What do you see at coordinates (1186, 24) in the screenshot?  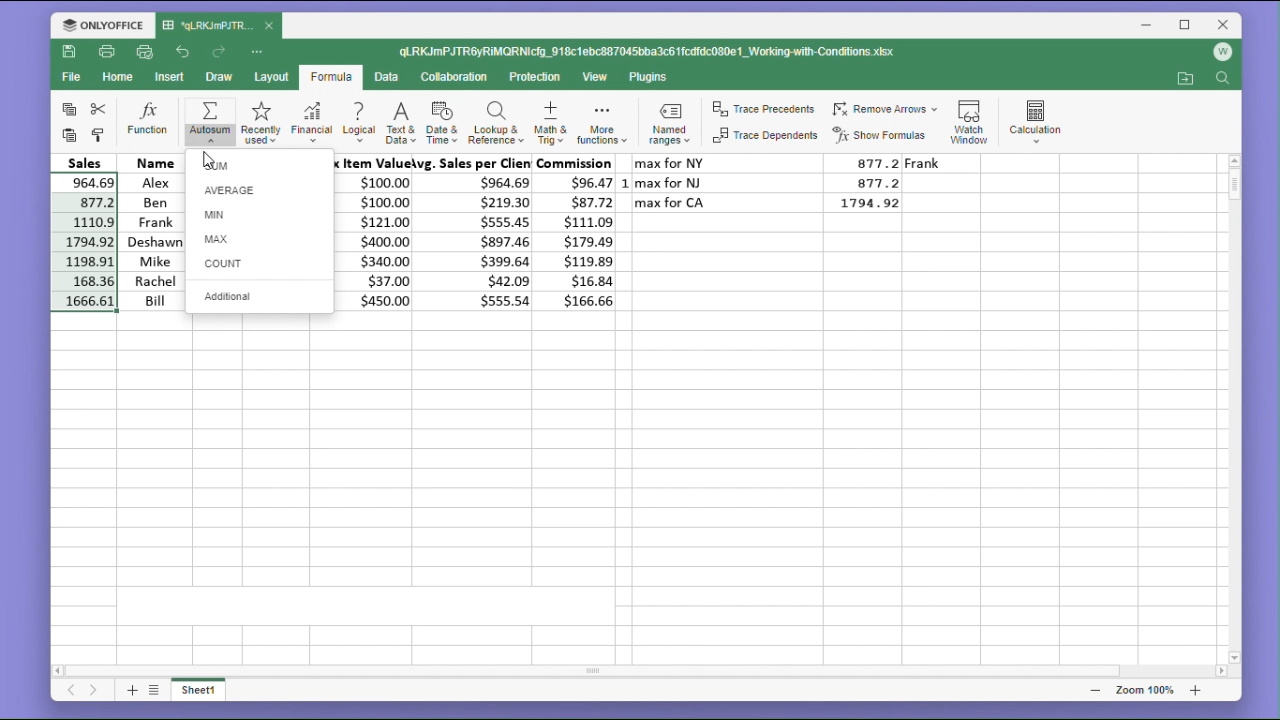 I see `maximize` at bounding box center [1186, 24].